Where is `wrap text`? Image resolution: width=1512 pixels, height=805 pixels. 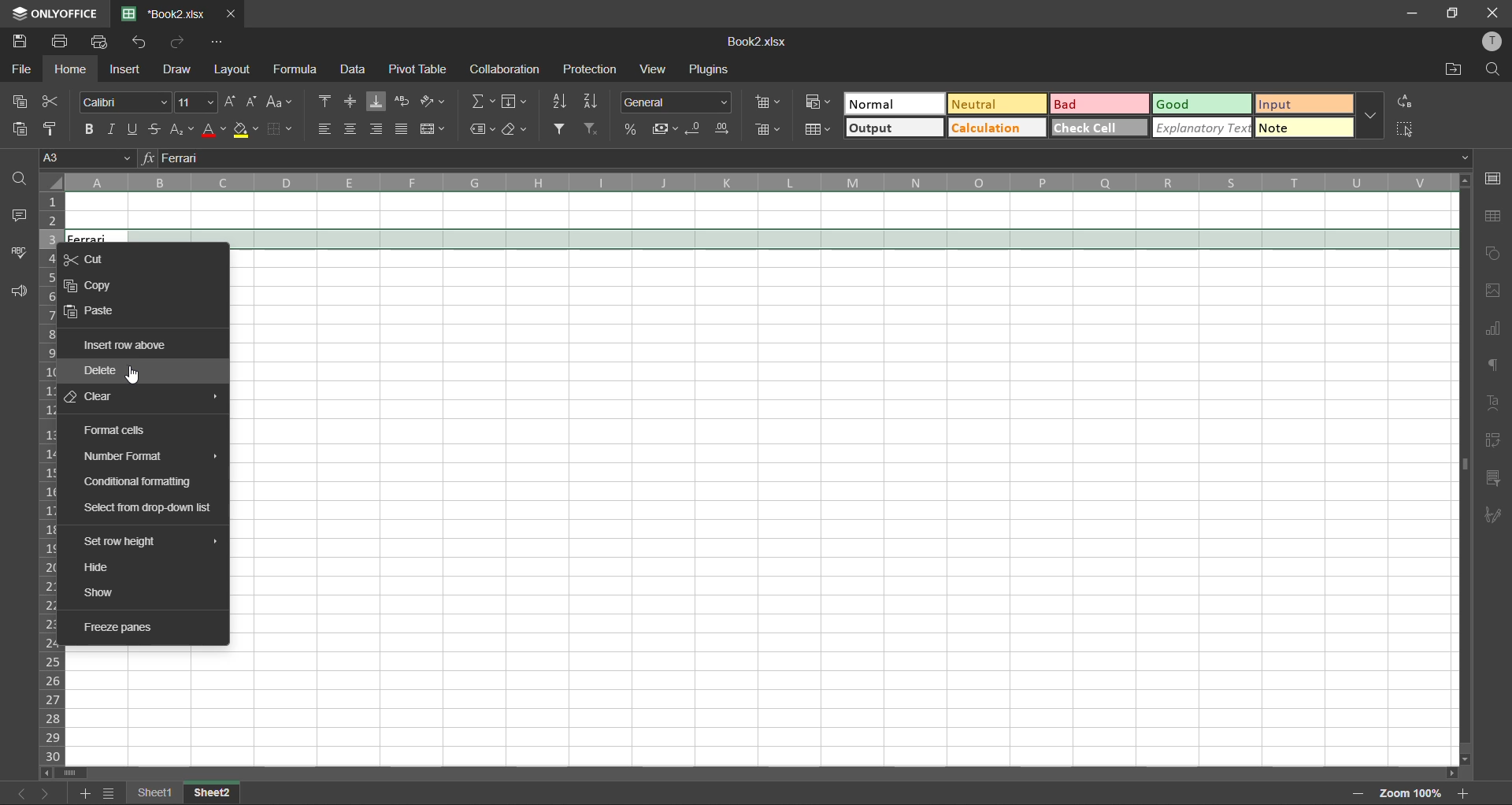 wrap text is located at coordinates (404, 101).